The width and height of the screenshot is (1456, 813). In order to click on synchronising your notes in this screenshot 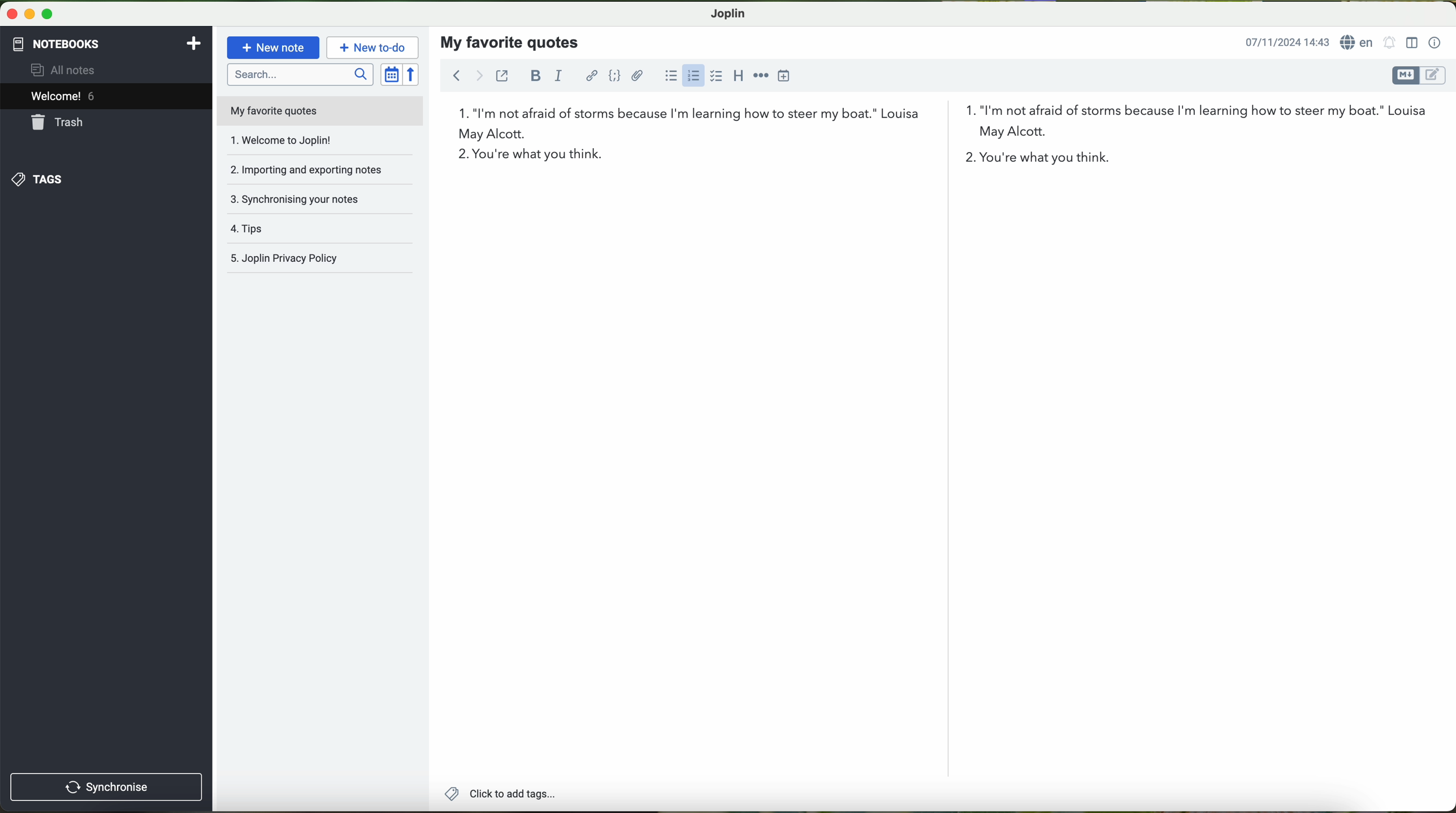, I will do `click(318, 198)`.